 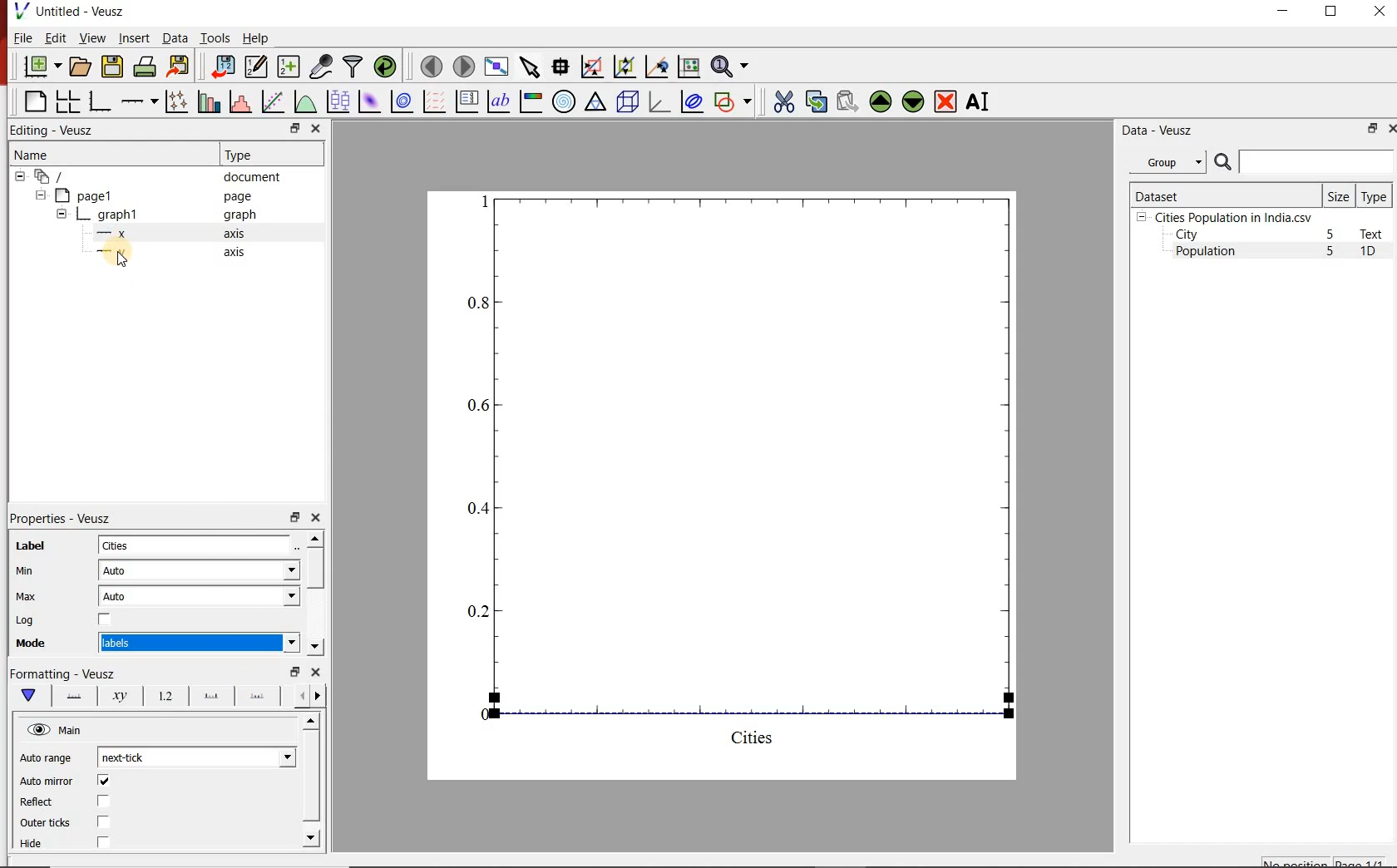 I want to click on paste widget from the clipboard, so click(x=847, y=101).